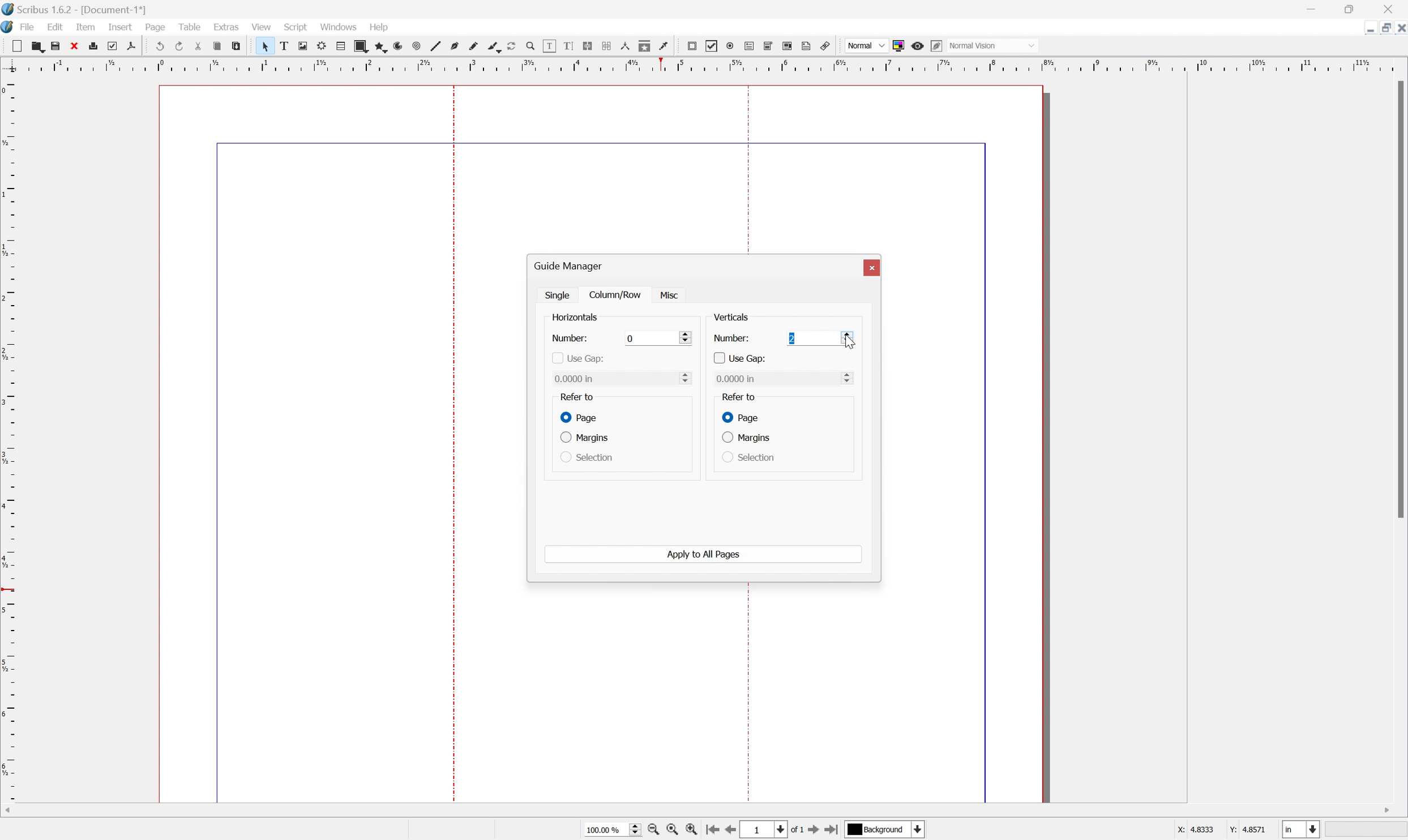 This screenshot has width=1408, height=840. I want to click on zoom in or zoom out, so click(530, 45).